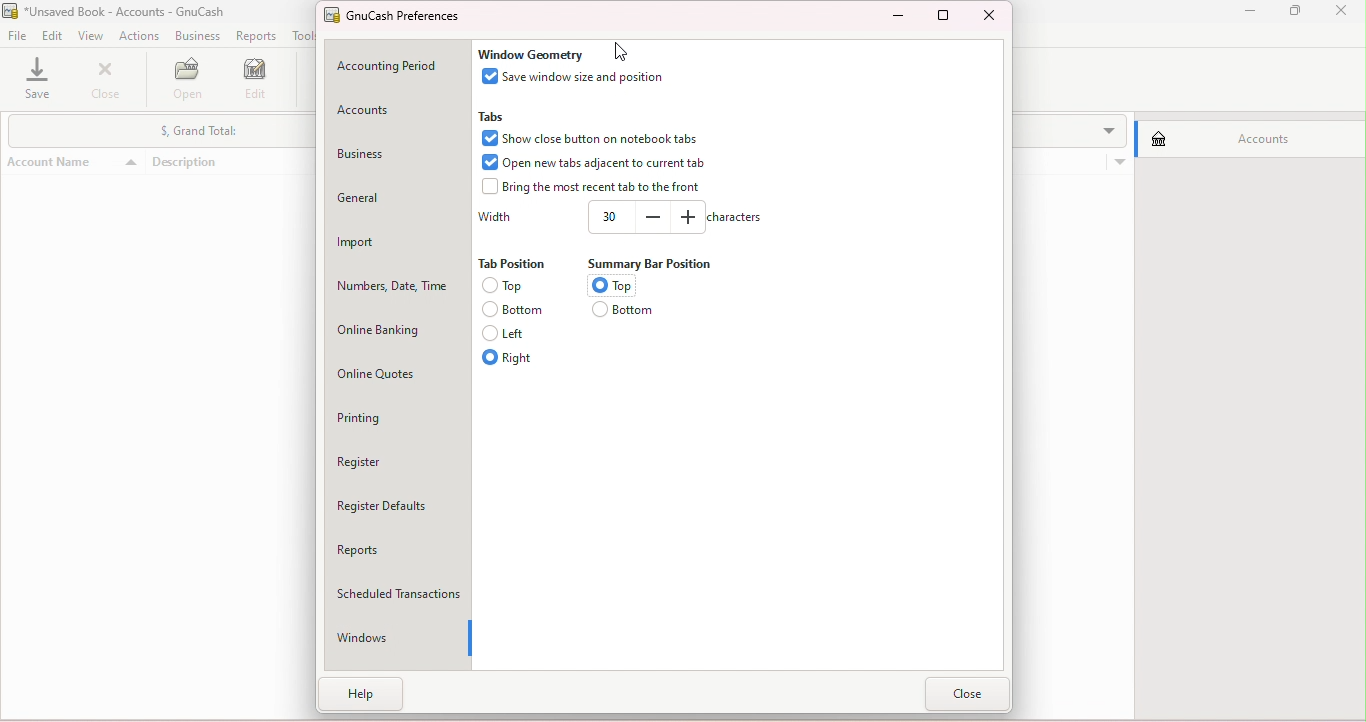 The width and height of the screenshot is (1366, 722). What do you see at coordinates (259, 81) in the screenshot?
I see `Edit` at bounding box center [259, 81].